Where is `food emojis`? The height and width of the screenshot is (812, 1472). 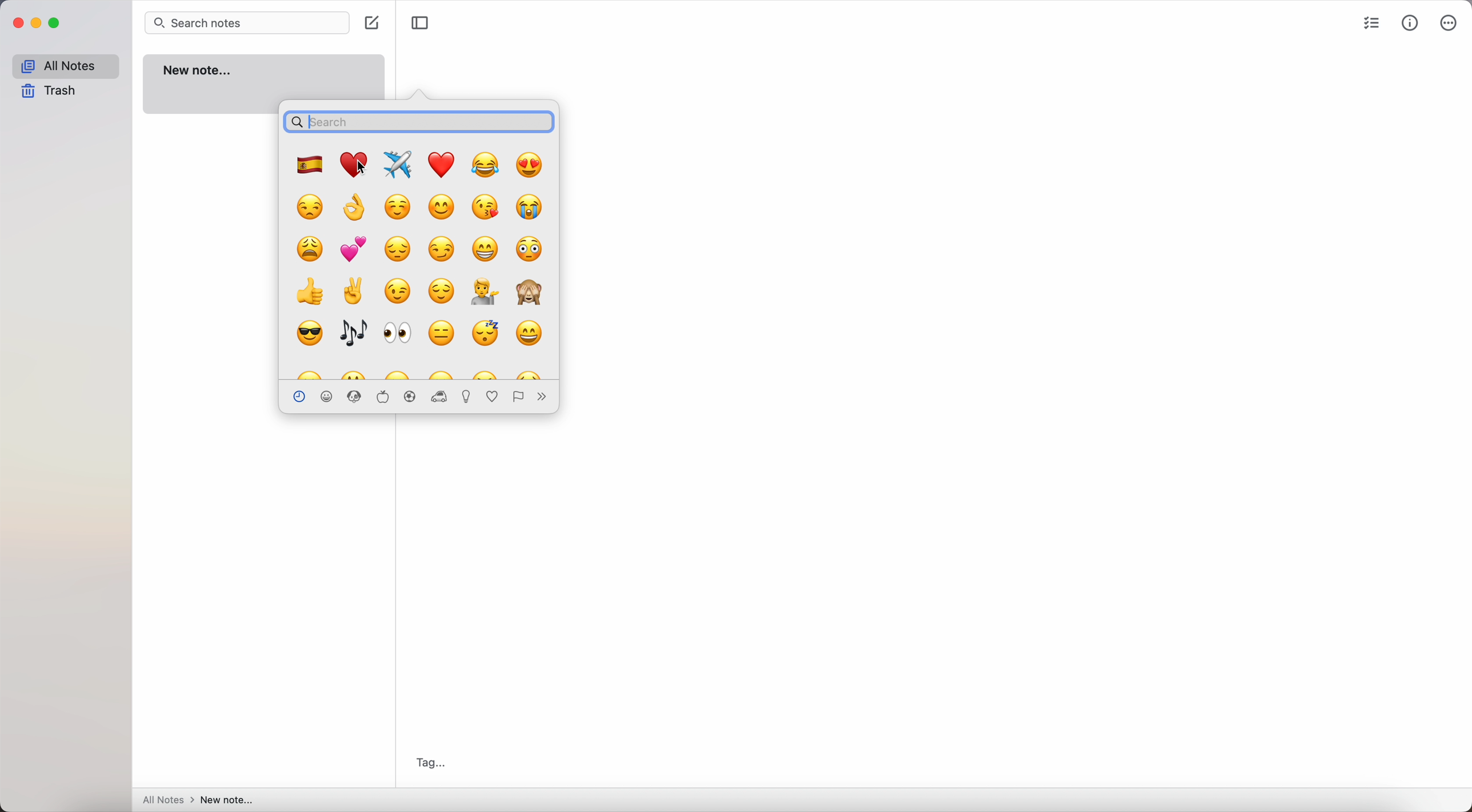 food emojis is located at coordinates (382, 397).